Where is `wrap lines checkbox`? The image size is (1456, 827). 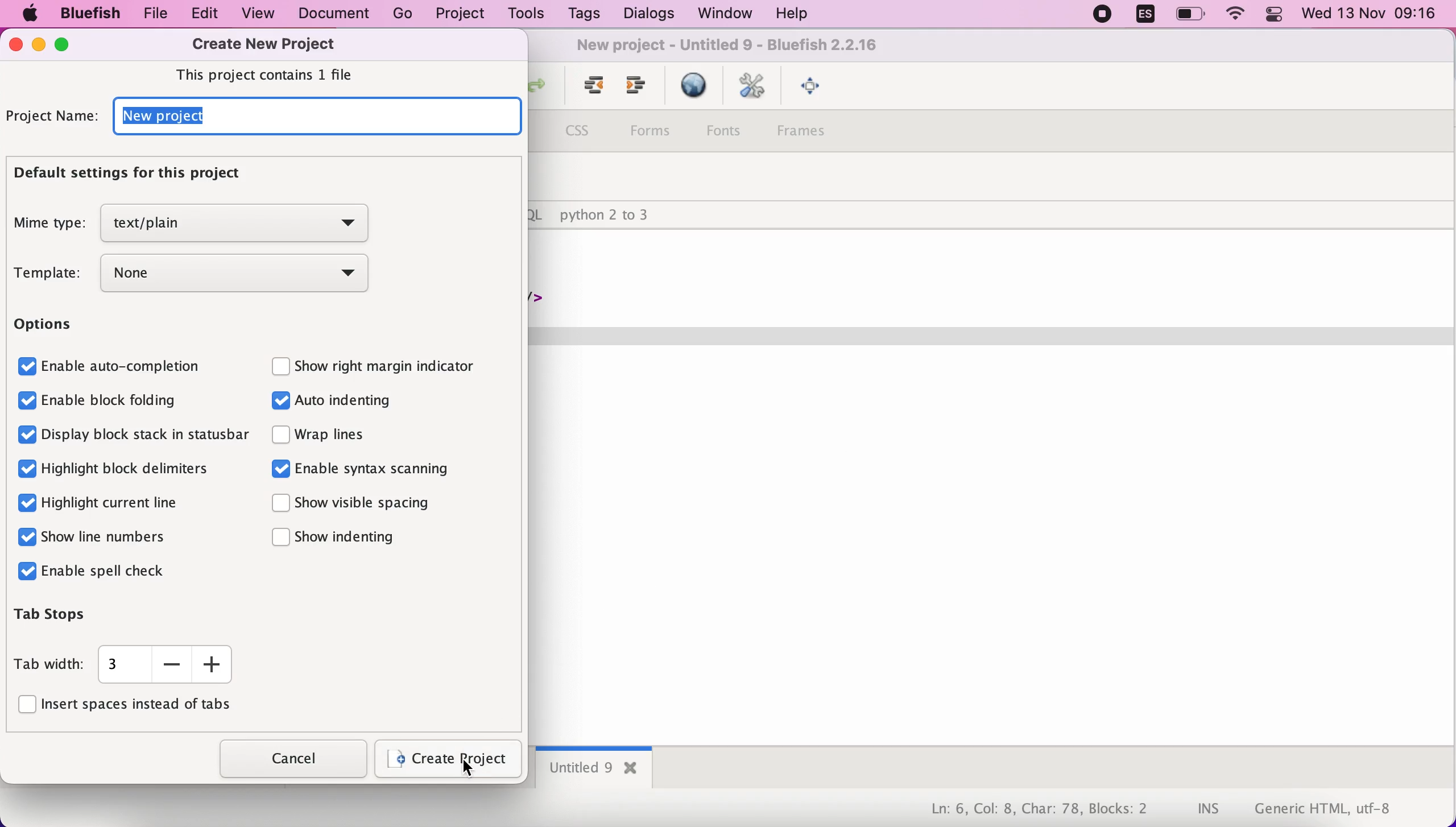
wrap lines checkbox is located at coordinates (336, 438).